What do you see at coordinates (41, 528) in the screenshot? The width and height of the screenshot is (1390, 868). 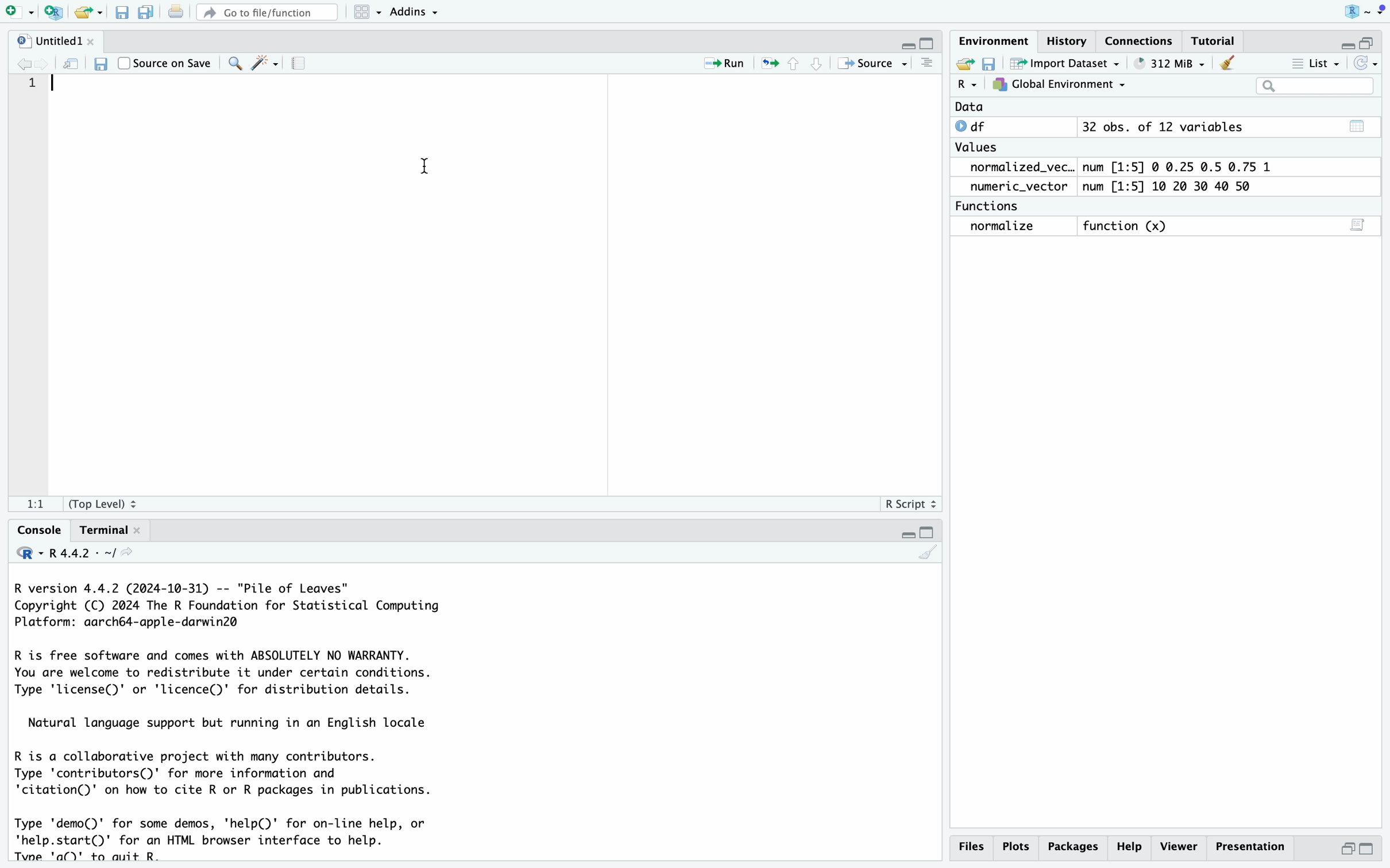 I see `Console` at bounding box center [41, 528].